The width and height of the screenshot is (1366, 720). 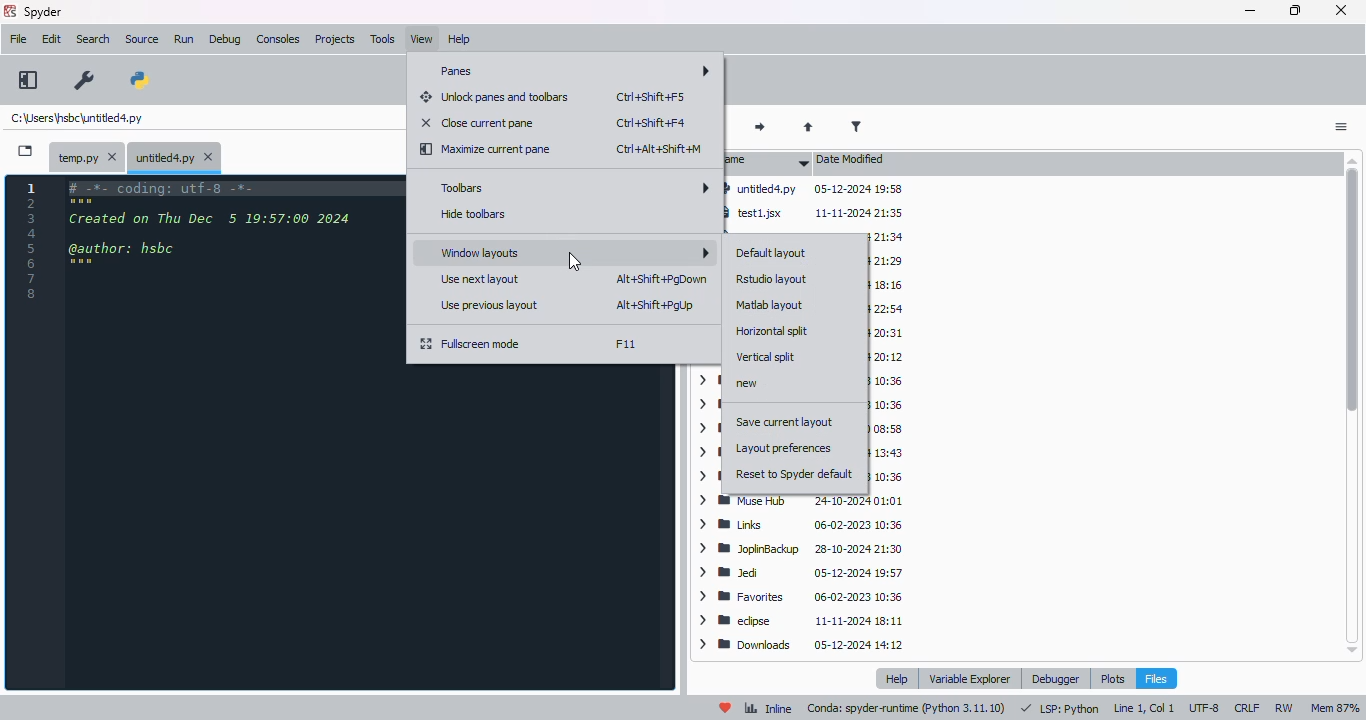 What do you see at coordinates (1340, 128) in the screenshot?
I see `options` at bounding box center [1340, 128].